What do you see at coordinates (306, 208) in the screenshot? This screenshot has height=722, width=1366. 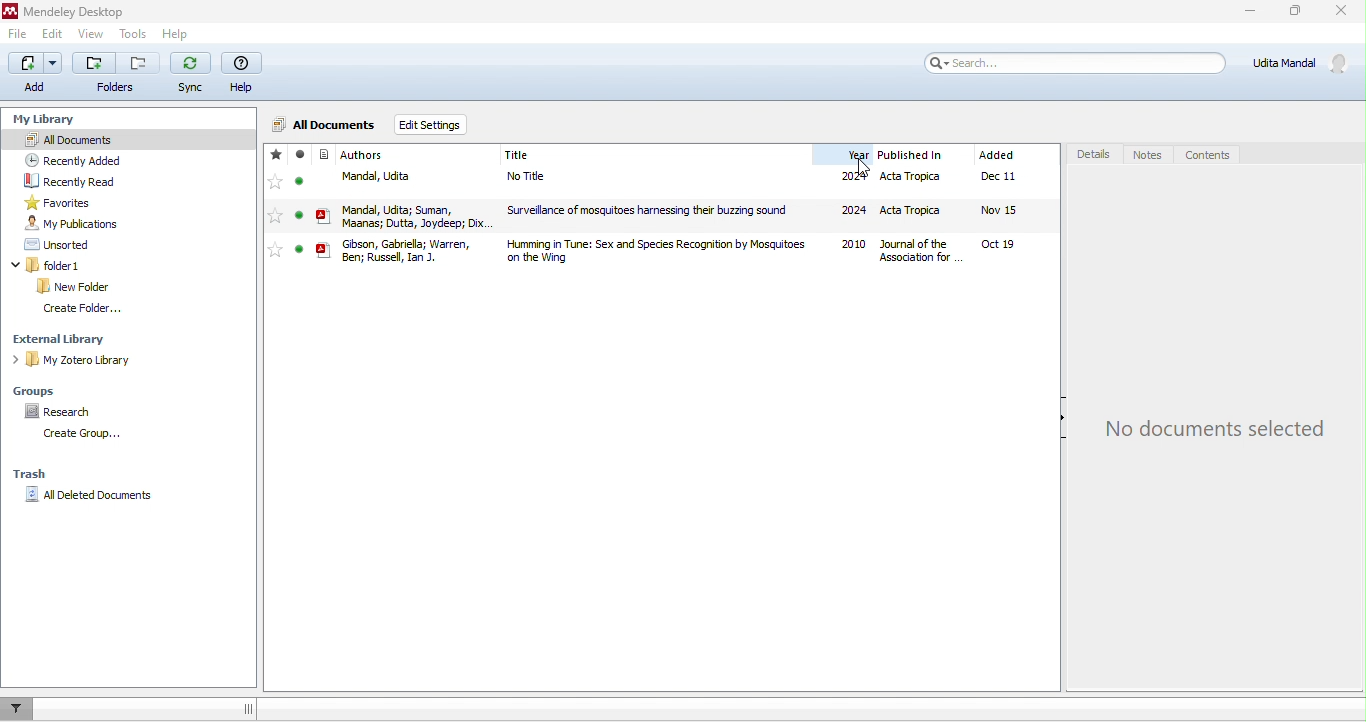 I see `read/unread` at bounding box center [306, 208].